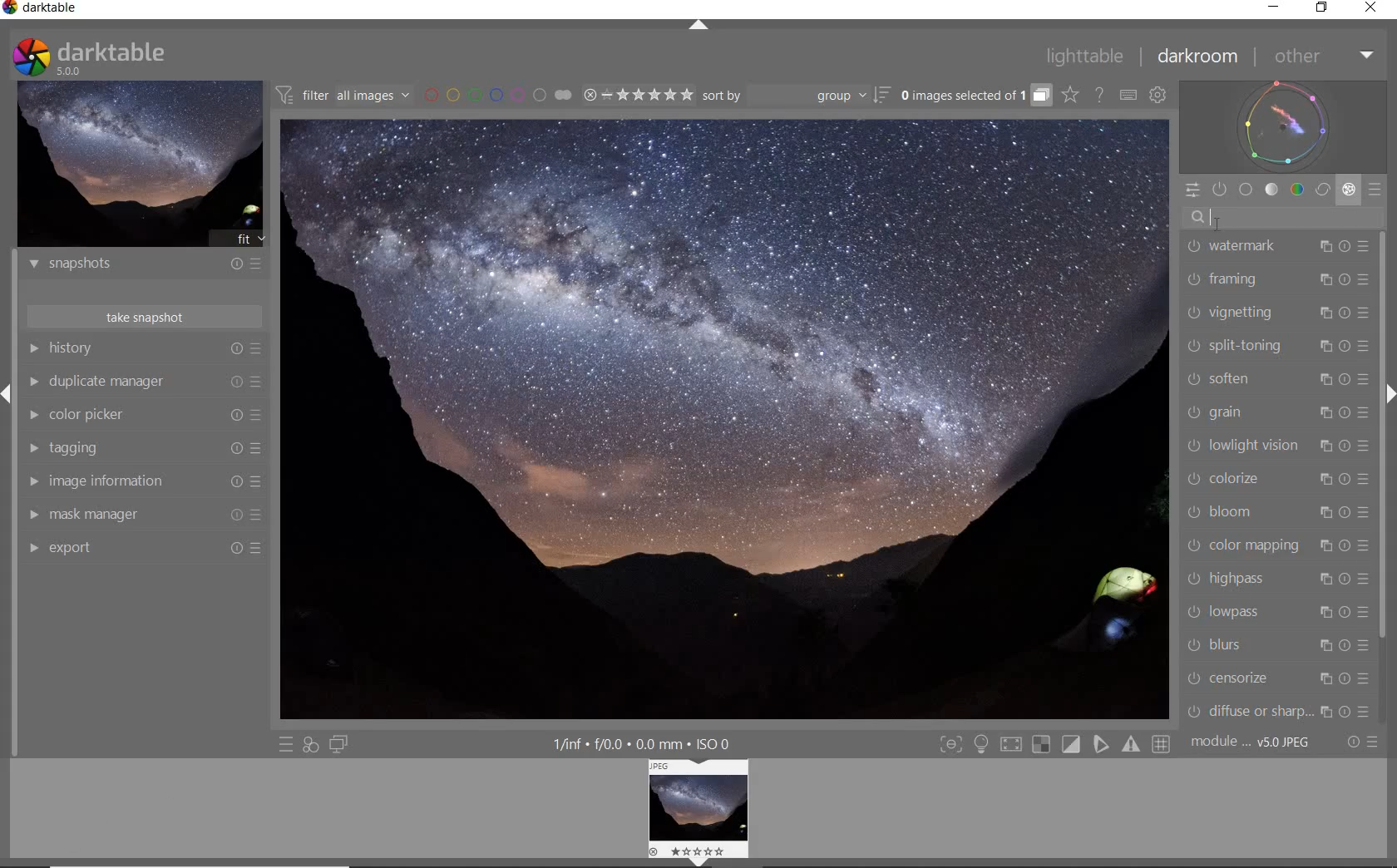 This screenshot has height=868, width=1397. What do you see at coordinates (97, 511) in the screenshot?
I see `mask manager` at bounding box center [97, 511].